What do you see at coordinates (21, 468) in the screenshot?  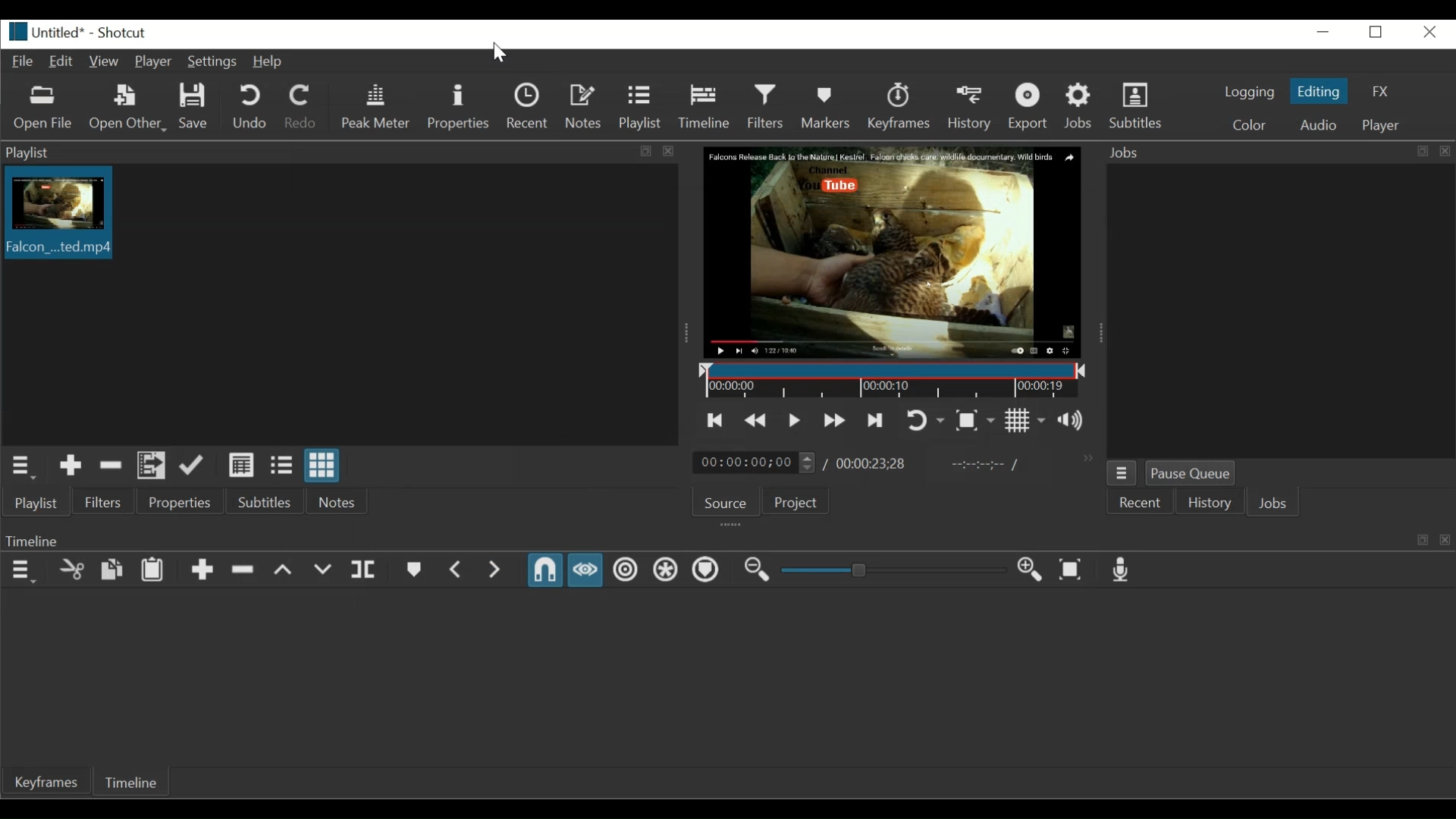 I see `Playlist menu` at bounding box center [21, 468].